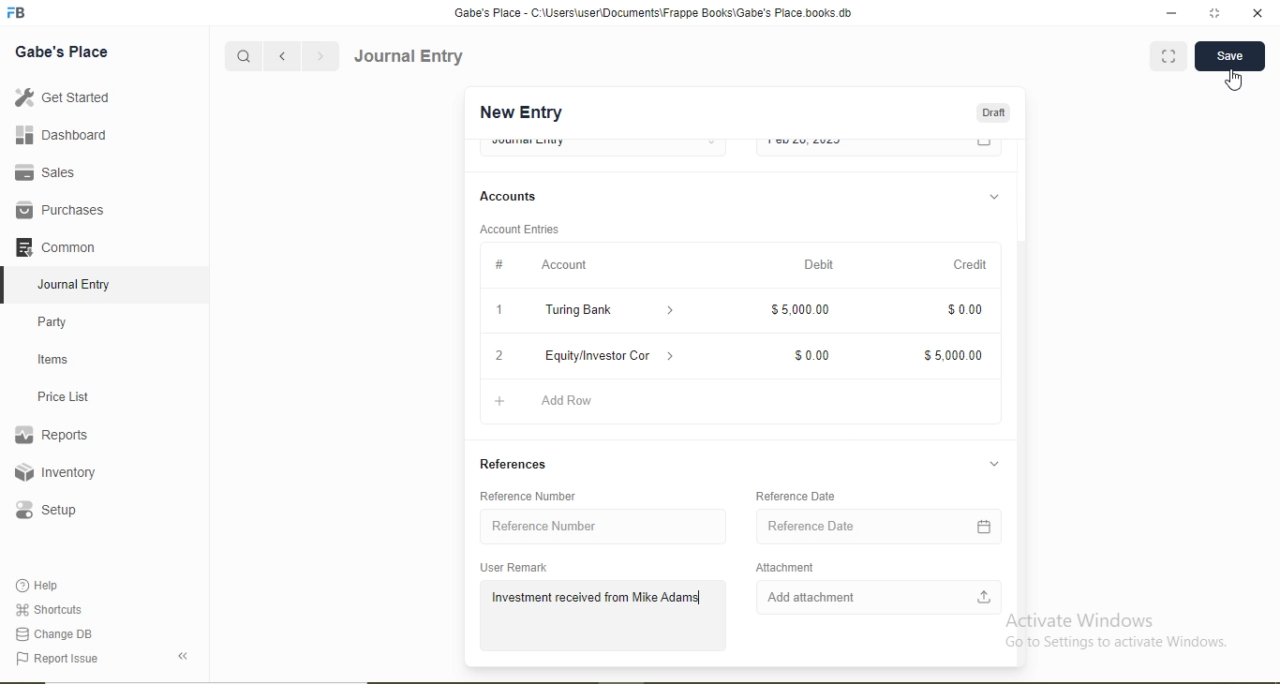 Image resolution: width=1280 pixels, height=684 pixels. What do you see at coordinates (994, 464) in the screenshot?
I see `Dropdown` at bounding box center [994, 464].